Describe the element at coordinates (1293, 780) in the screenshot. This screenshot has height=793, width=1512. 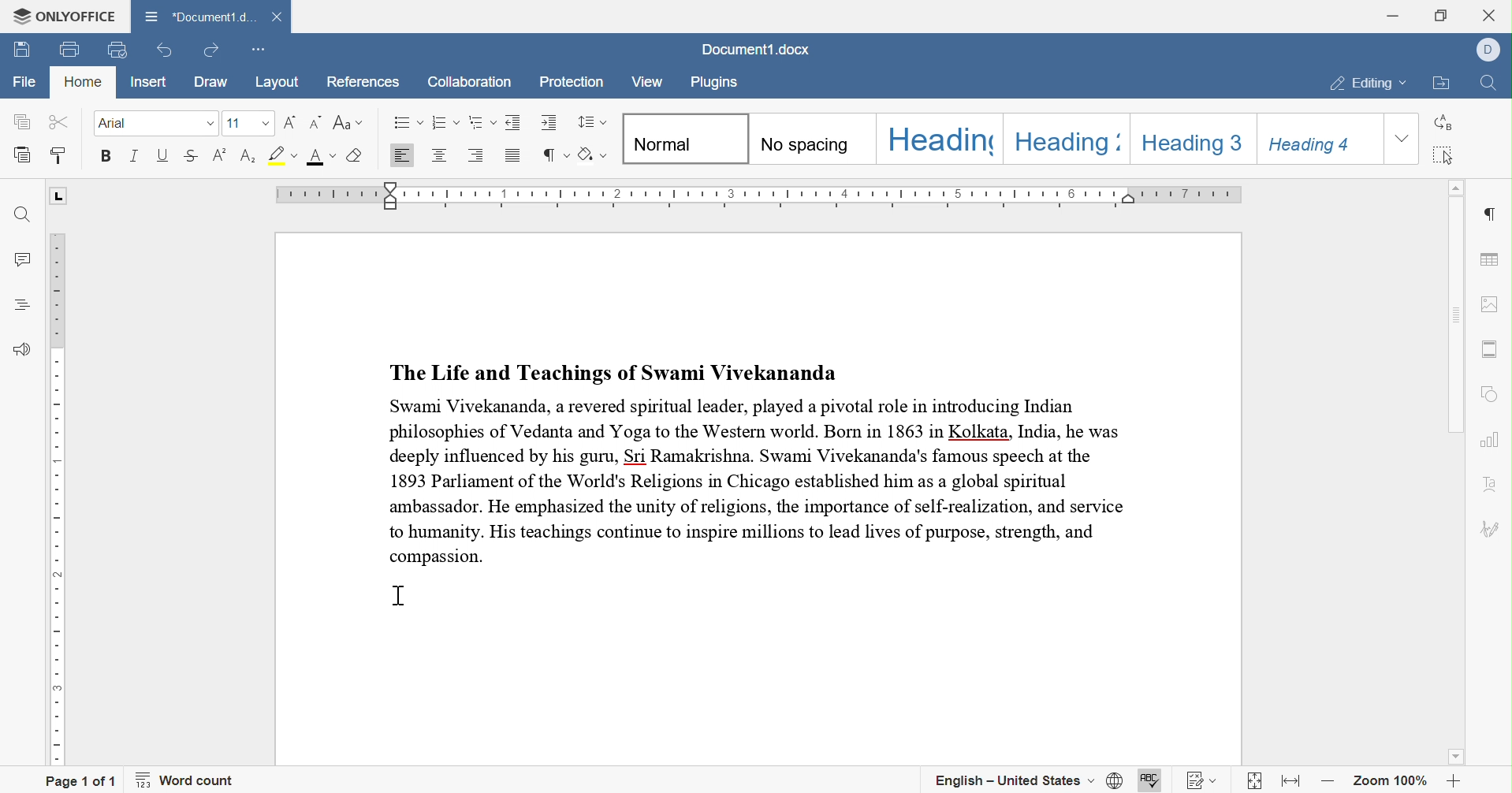
I see `fit to page` at that location.